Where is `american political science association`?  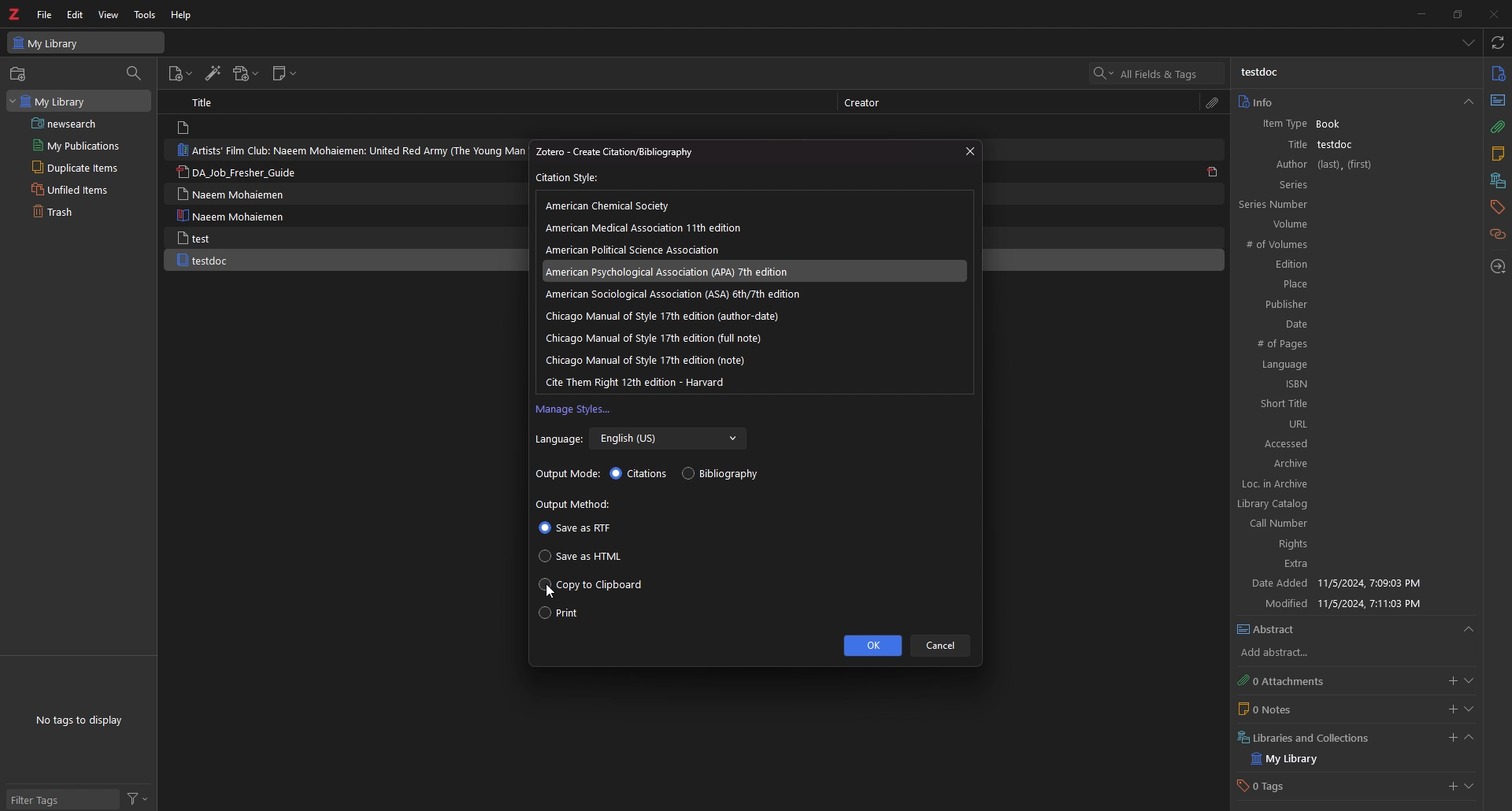
american political science association is located at coordinates (640, 250).